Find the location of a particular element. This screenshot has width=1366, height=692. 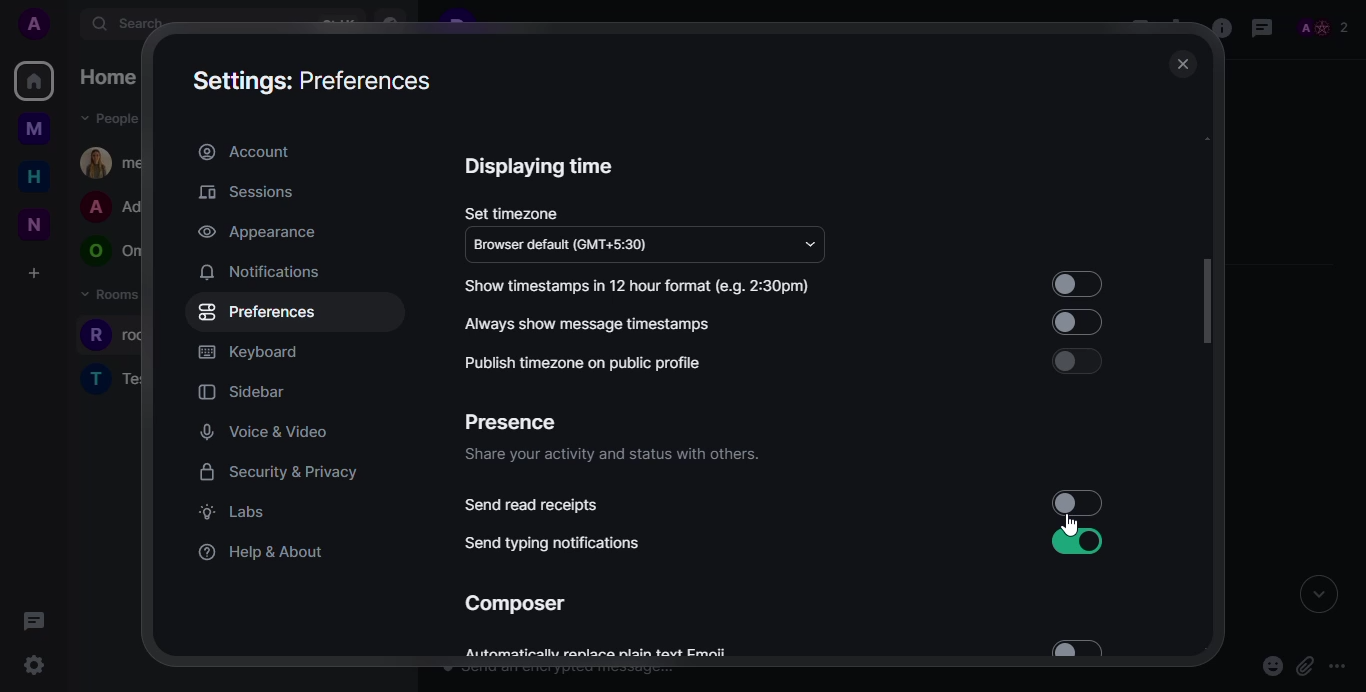

home is located at coordinates (35, 81).